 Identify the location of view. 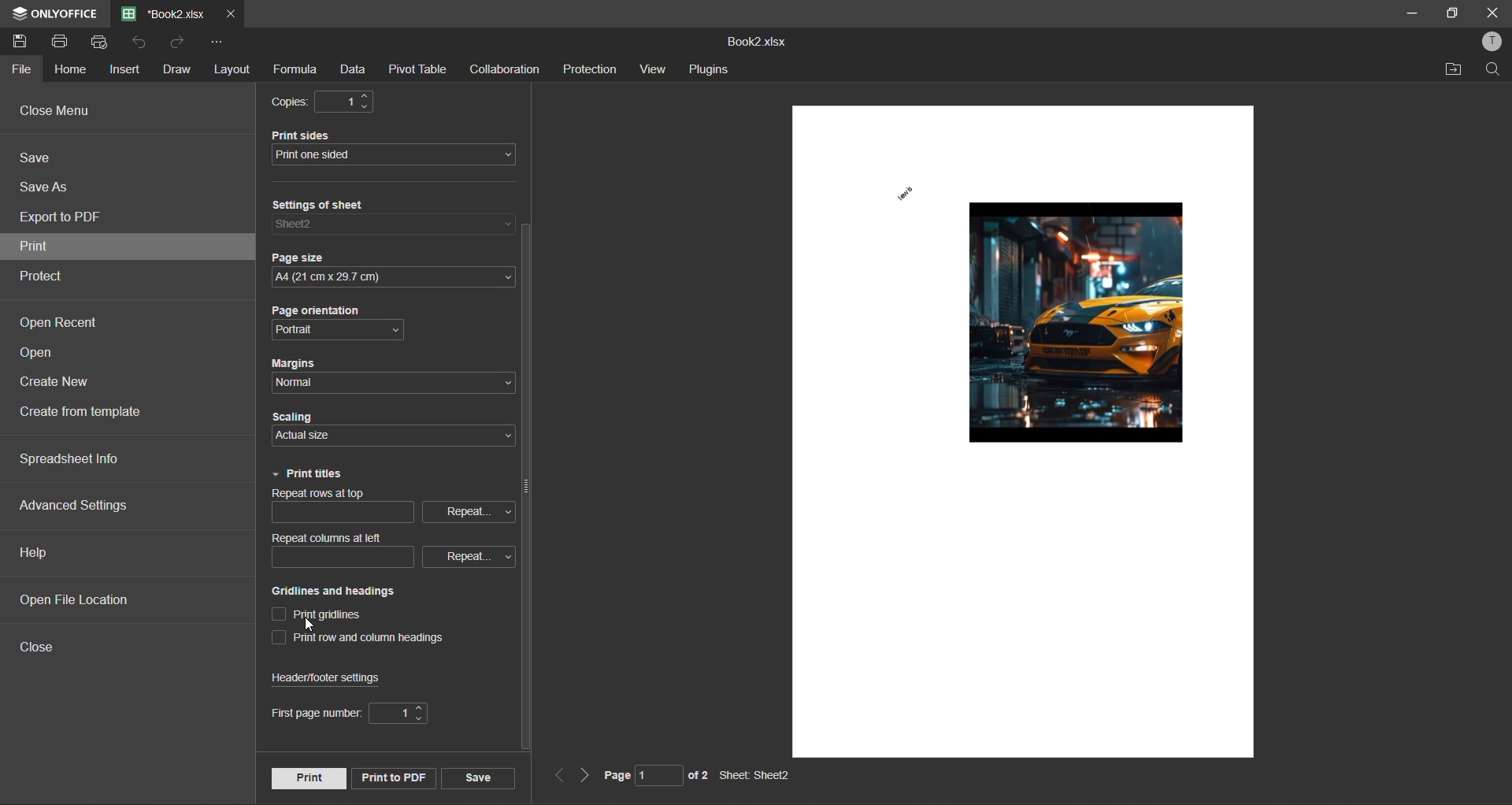
(651, 69).